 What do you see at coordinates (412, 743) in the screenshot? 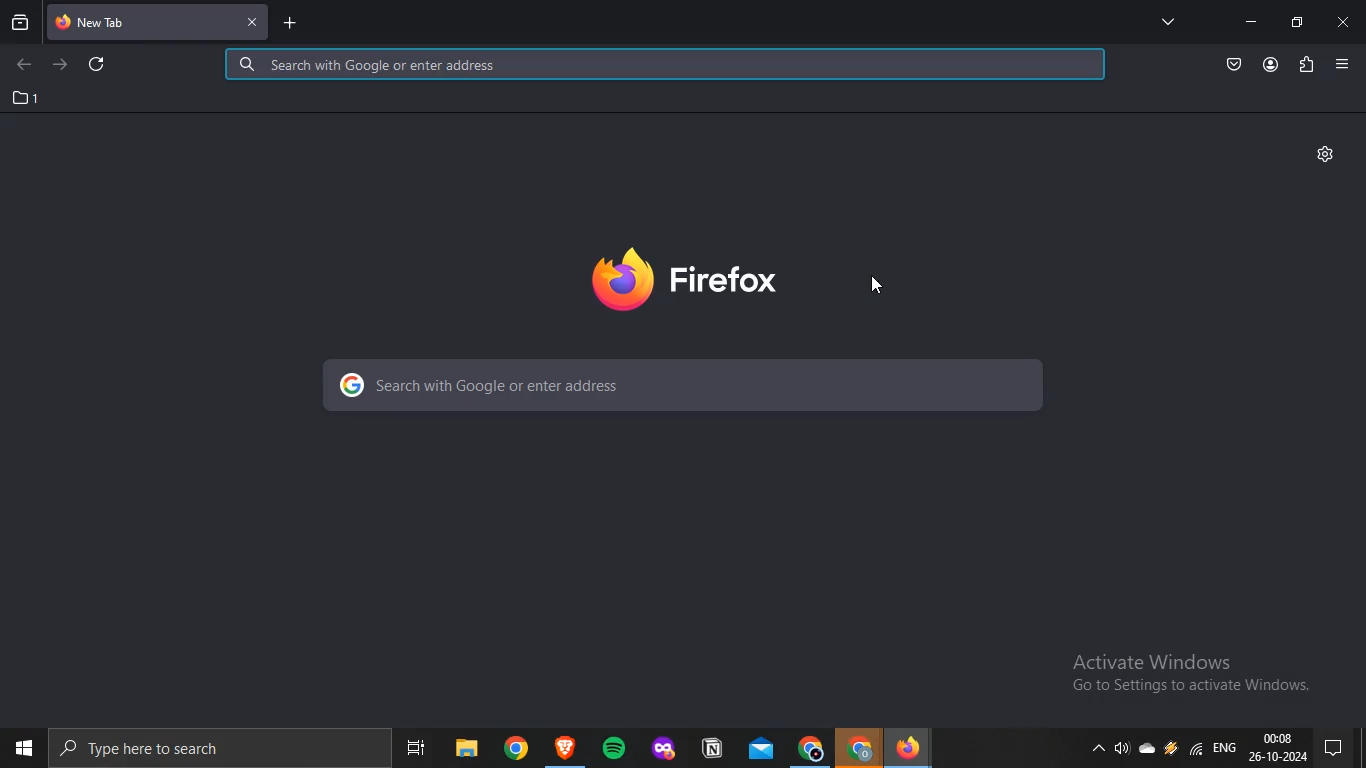
I see `` at bounding box center [412, 743].